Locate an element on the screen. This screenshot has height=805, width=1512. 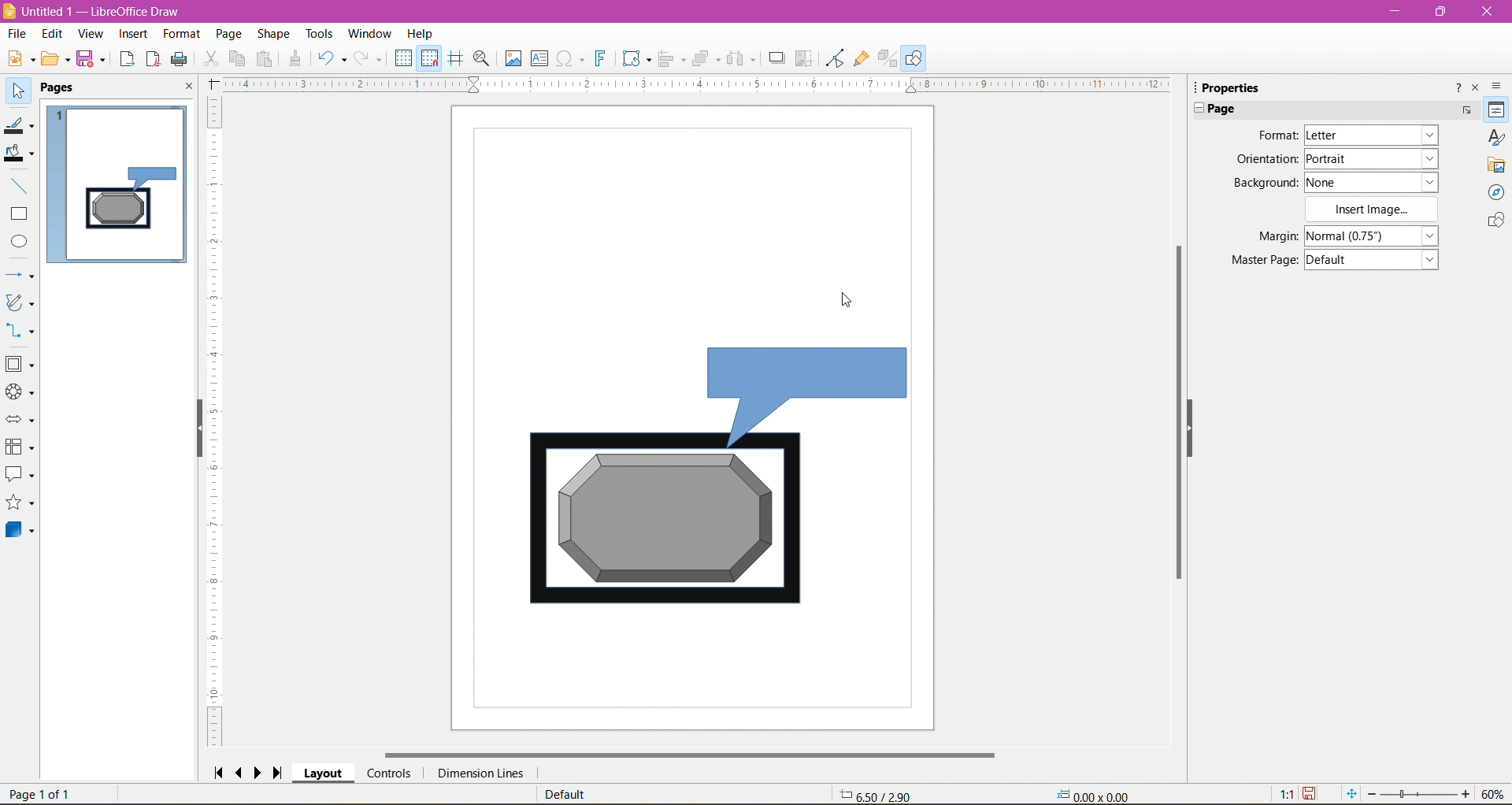
Close is located at coordinates (187, 88).